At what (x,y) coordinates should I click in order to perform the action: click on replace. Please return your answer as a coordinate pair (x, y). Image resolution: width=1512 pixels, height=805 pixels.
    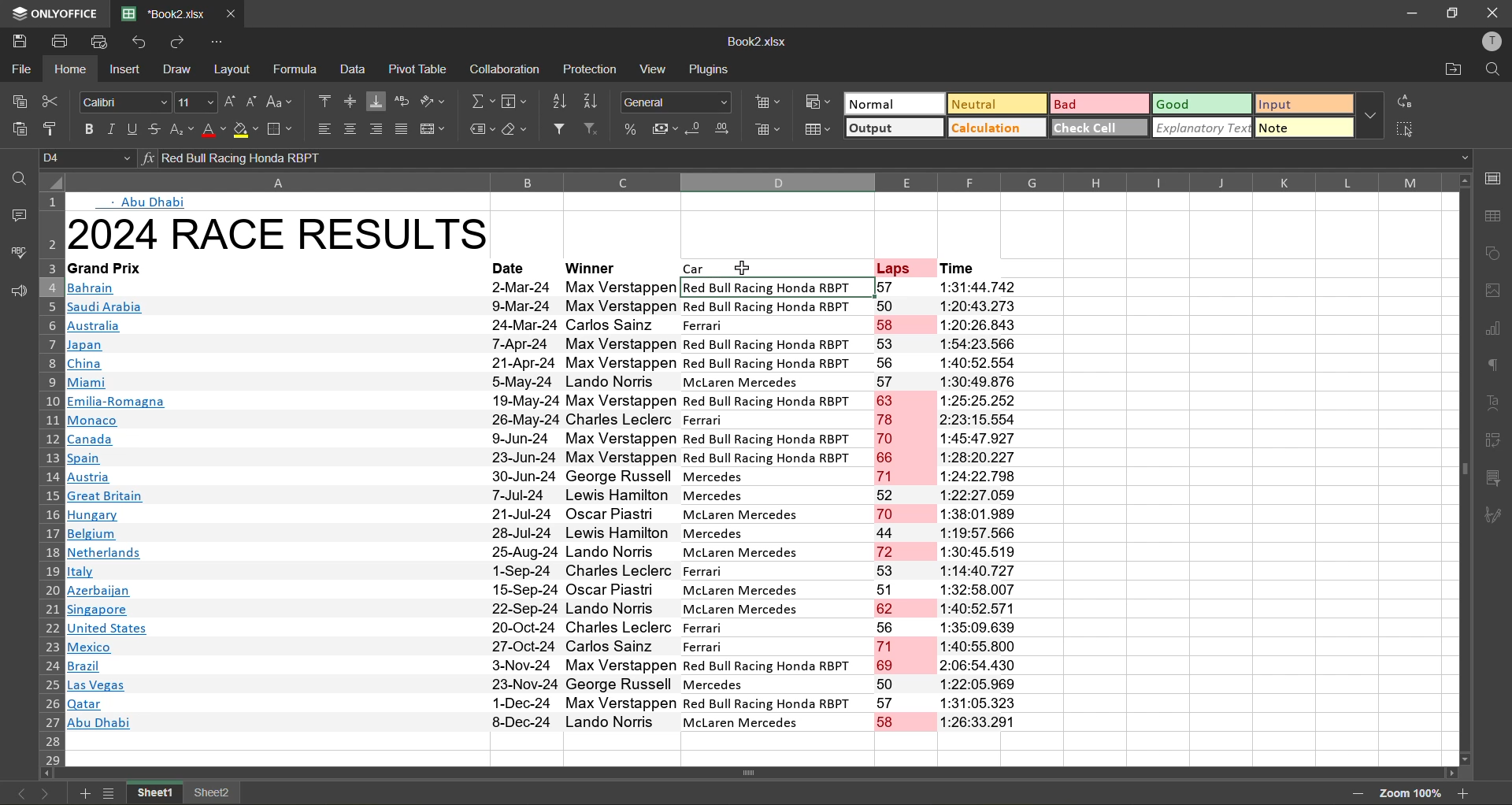
    Looking at the image, I should click on (1409, 101).